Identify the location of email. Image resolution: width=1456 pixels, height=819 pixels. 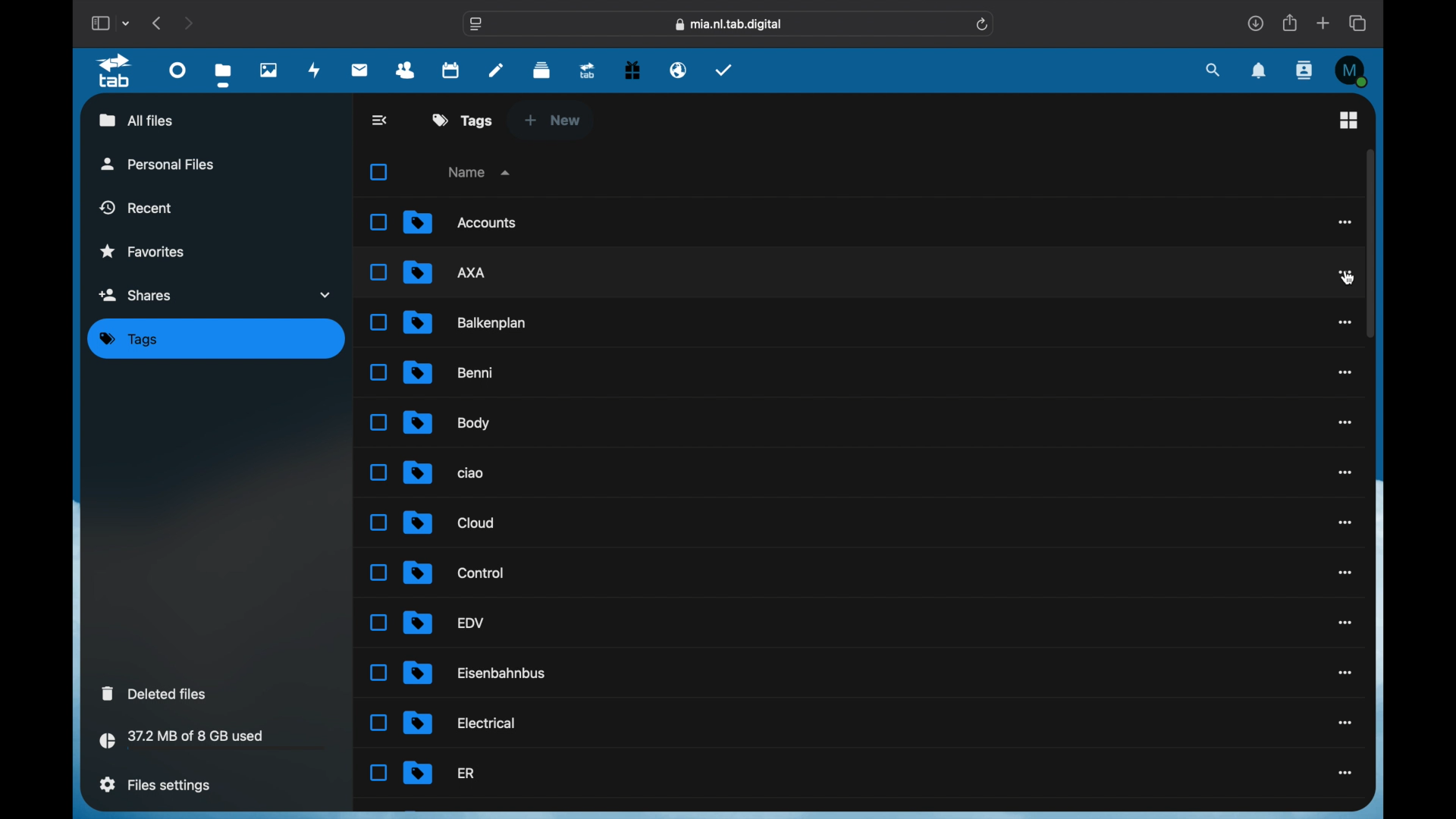
(678, 69).